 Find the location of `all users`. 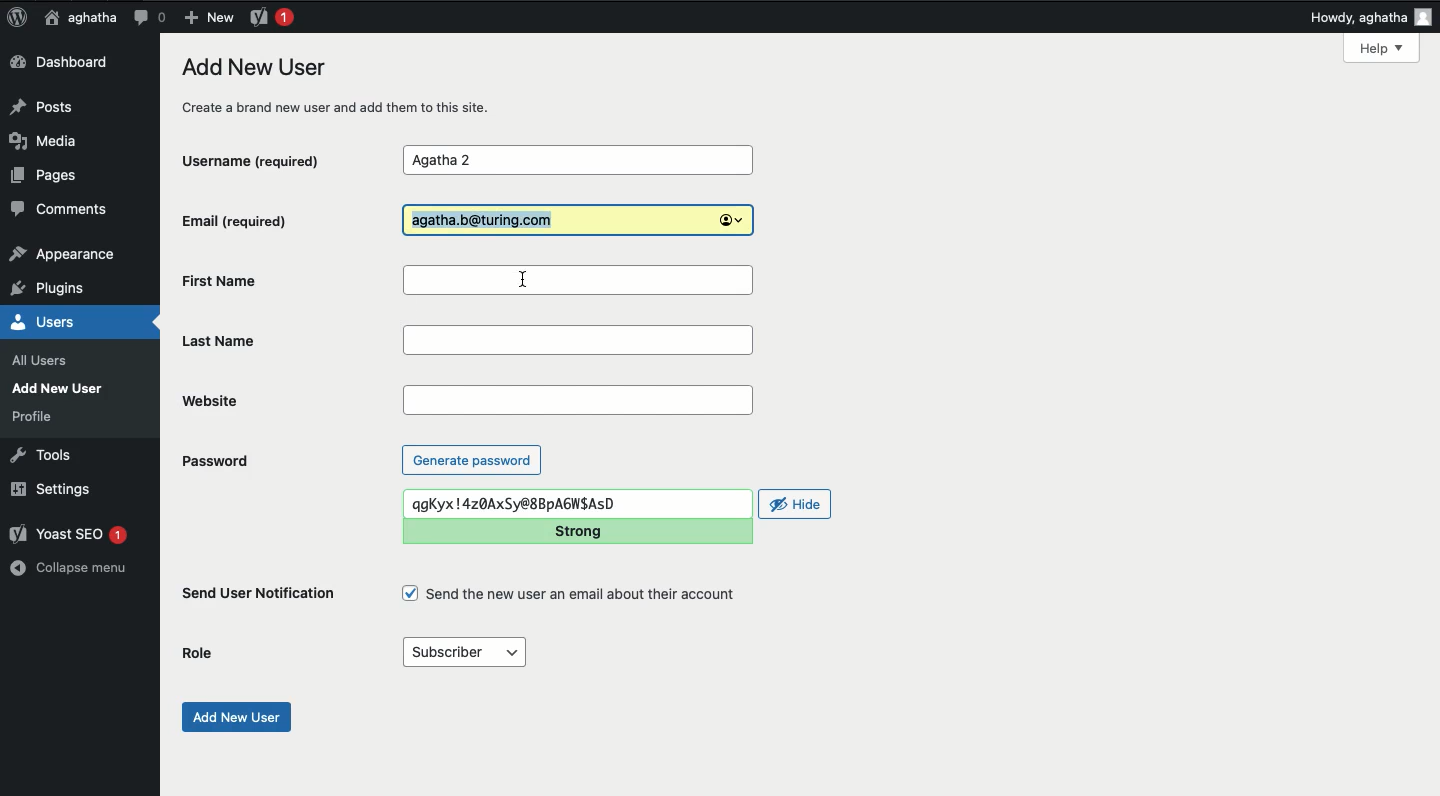

all users is located at coordinates (47, 361).